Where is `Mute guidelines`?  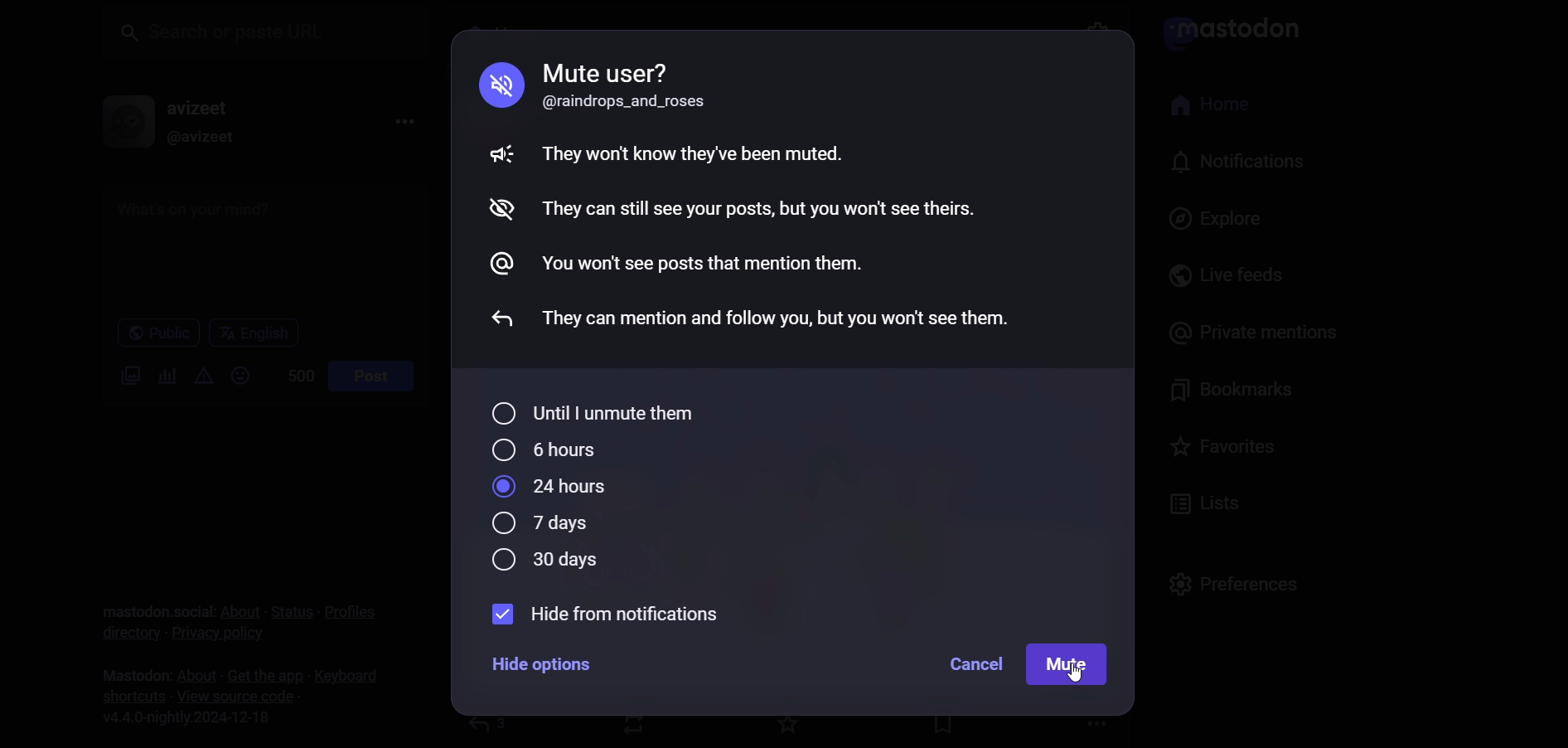 Mute guidelines is located at coordinates (753, 193).